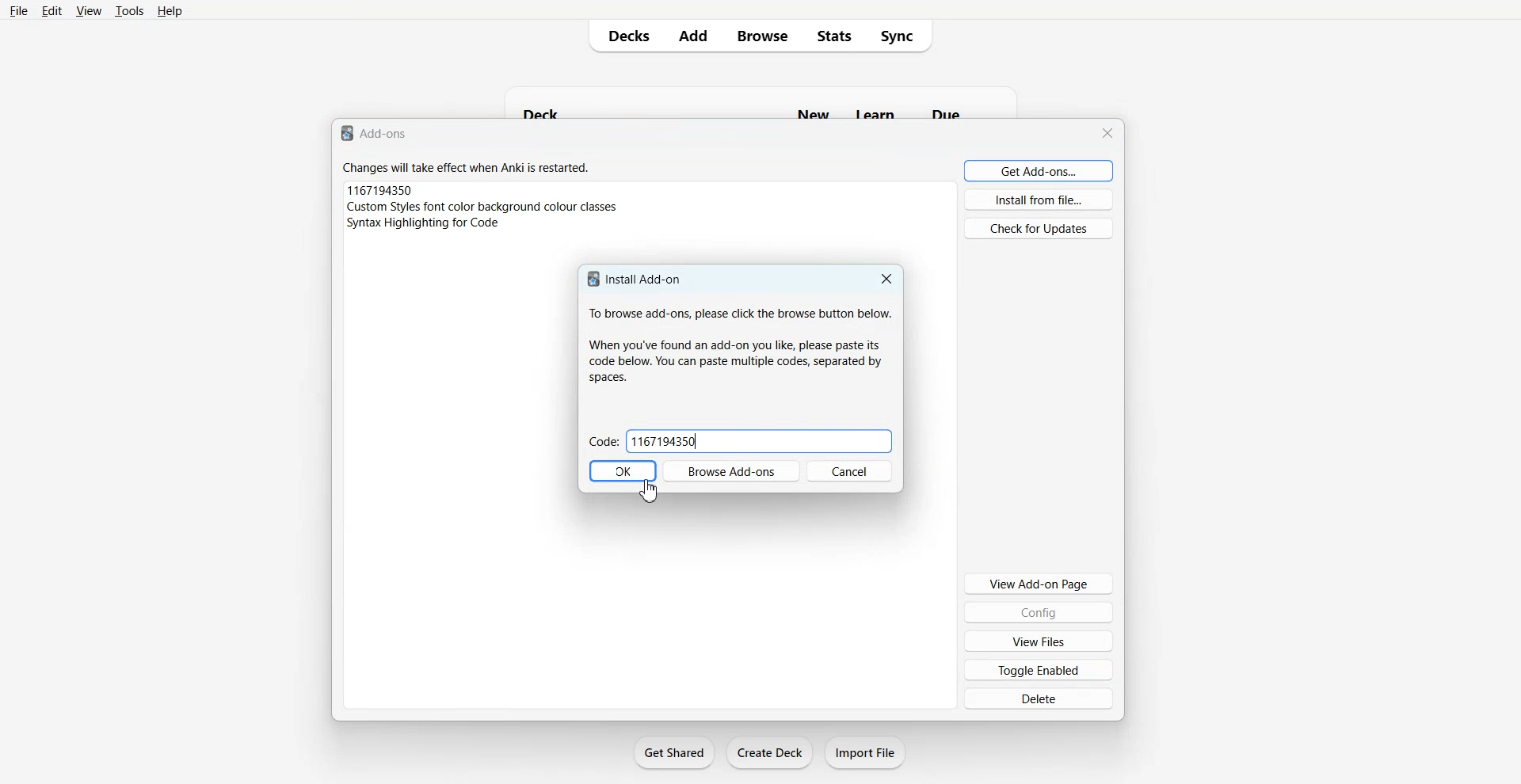 This screenshot has width=1521, height=784. Describe the element at coordinates (1107, 131) in the screenshot. I see `Close` at that location.